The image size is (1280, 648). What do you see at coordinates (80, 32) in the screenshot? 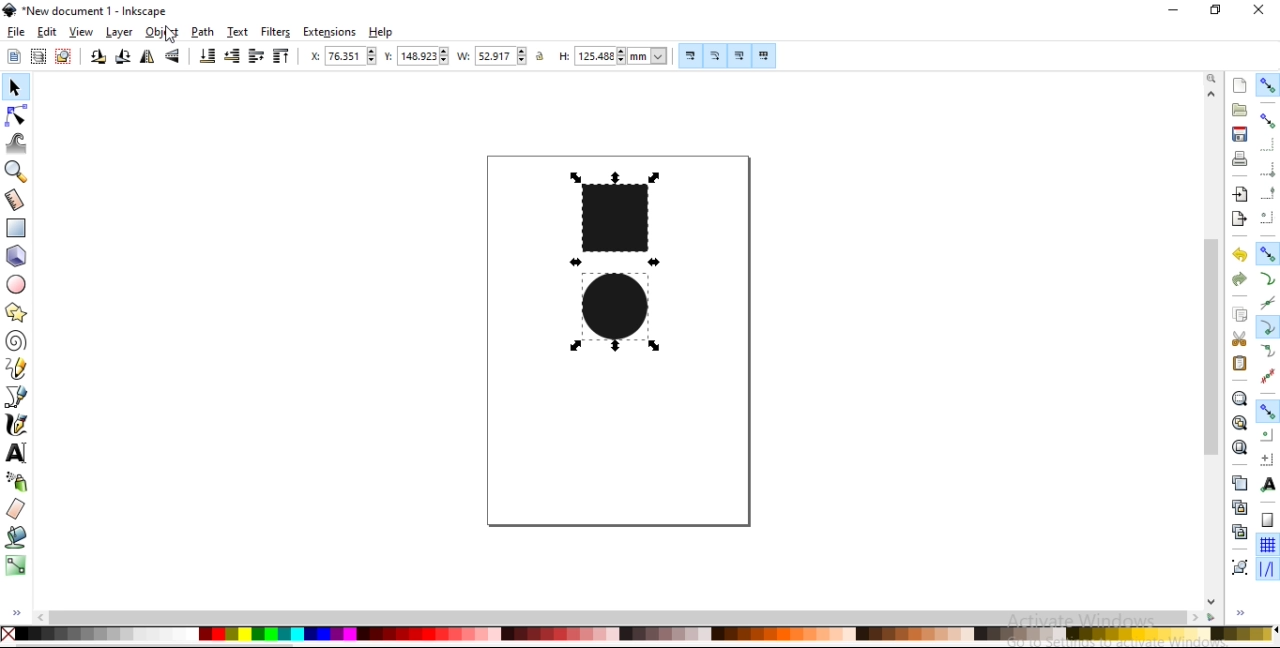
I see `view` at bounding box center [80, 32].